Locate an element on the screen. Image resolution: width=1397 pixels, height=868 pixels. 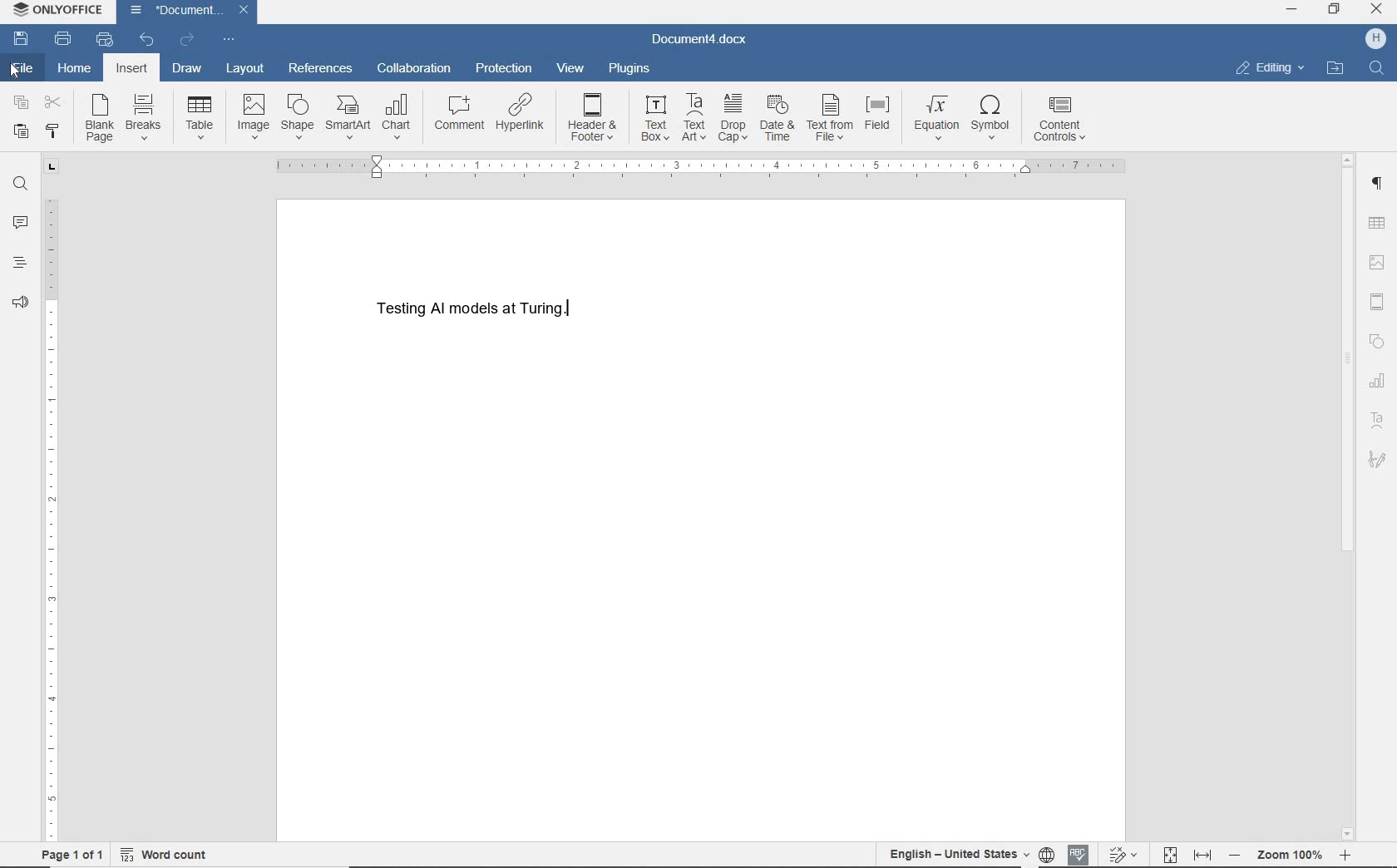
header & footer is located at coordinates (593, 116).